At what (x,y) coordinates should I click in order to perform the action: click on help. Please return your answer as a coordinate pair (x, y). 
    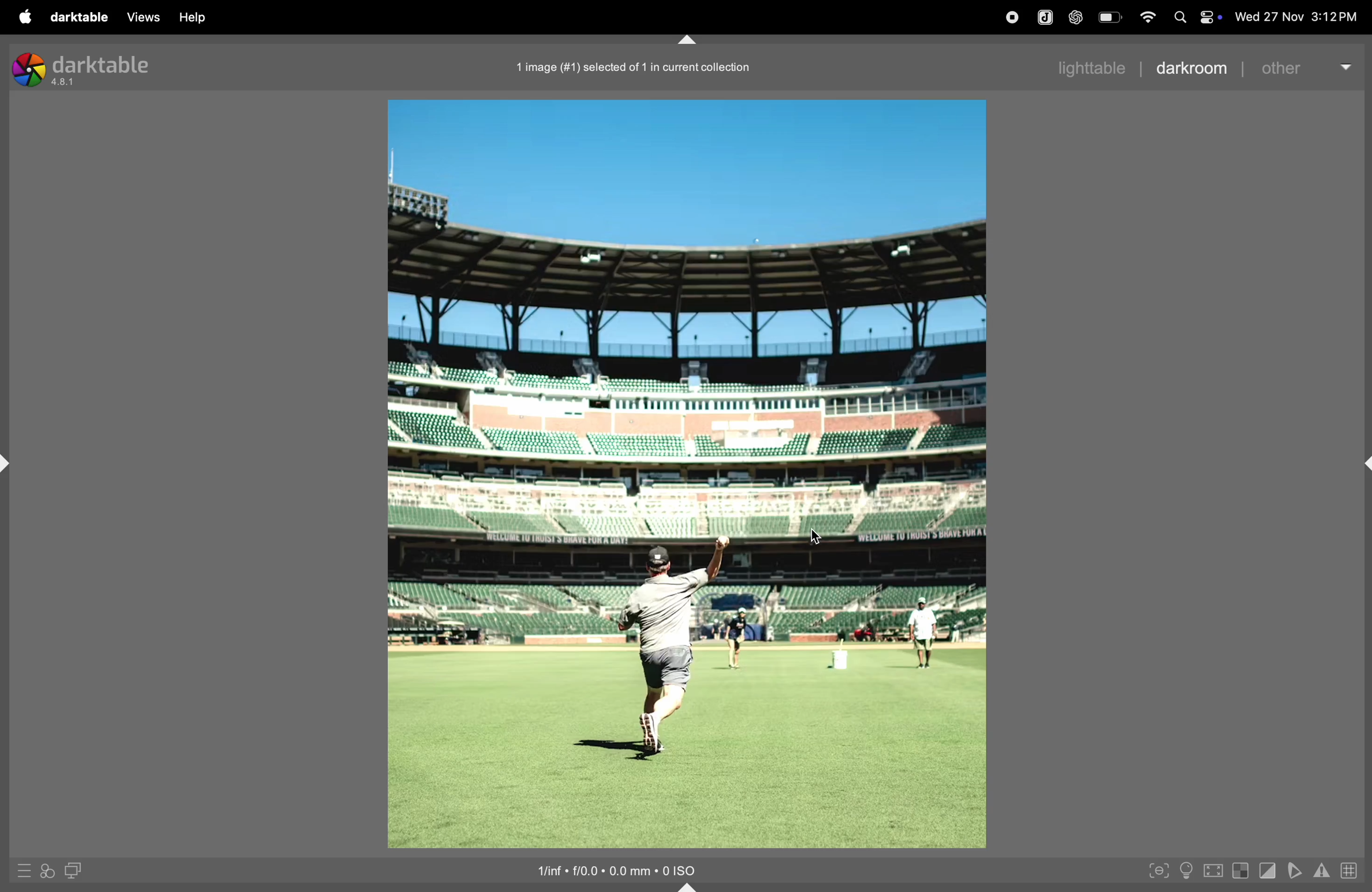
    Looking at the image, I should click on (193, 18).